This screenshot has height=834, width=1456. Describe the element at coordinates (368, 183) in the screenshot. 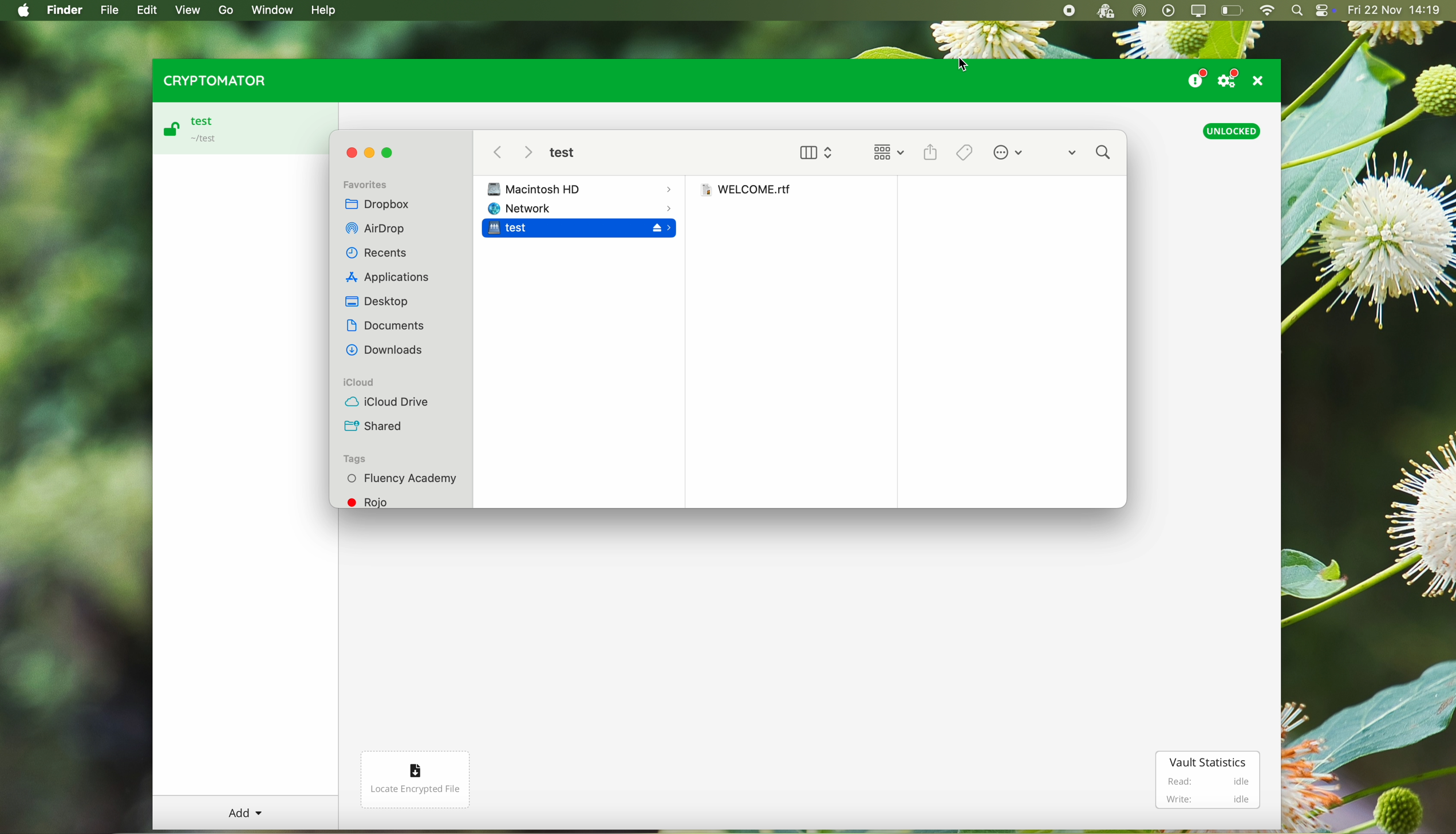

I see `favorites` at that location.